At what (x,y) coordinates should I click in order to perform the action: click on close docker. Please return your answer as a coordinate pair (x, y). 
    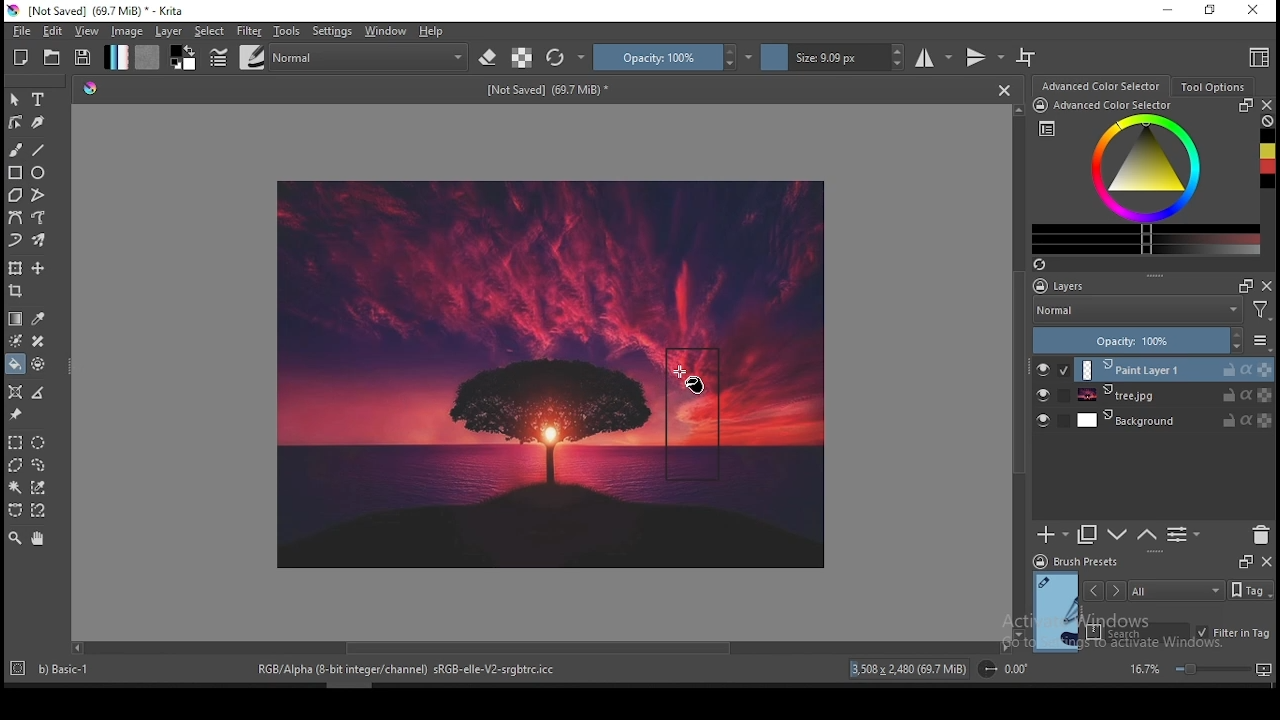
    Looking at the image, I should click on (1266, 562).